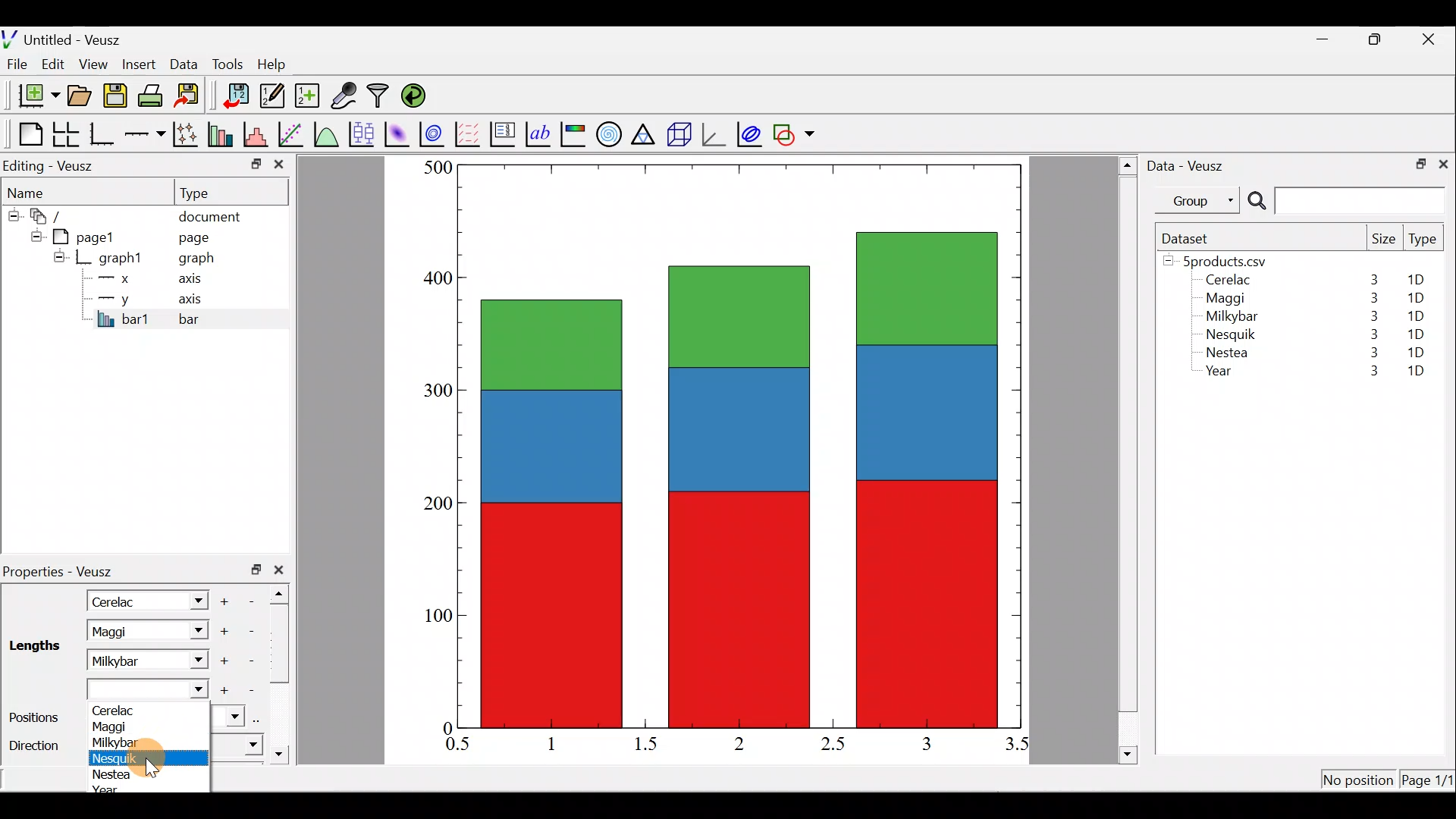 The height and width of the screenshot is (819, 1456). Describe the element at coordinates (1222, 375) in the screenshot. I see `Year` at that location.